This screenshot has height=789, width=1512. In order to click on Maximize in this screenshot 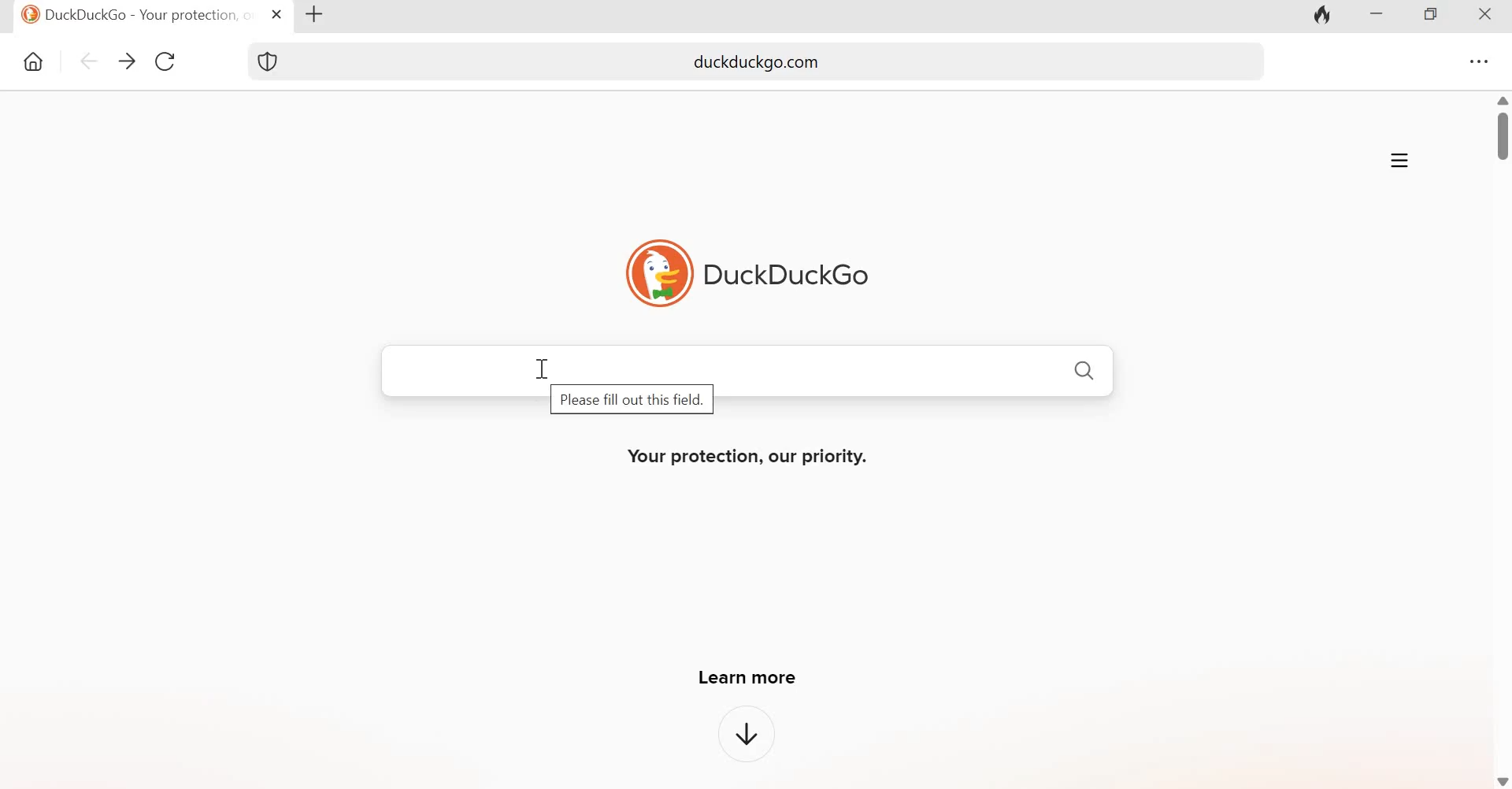, I will do `click(1436, 17)`.